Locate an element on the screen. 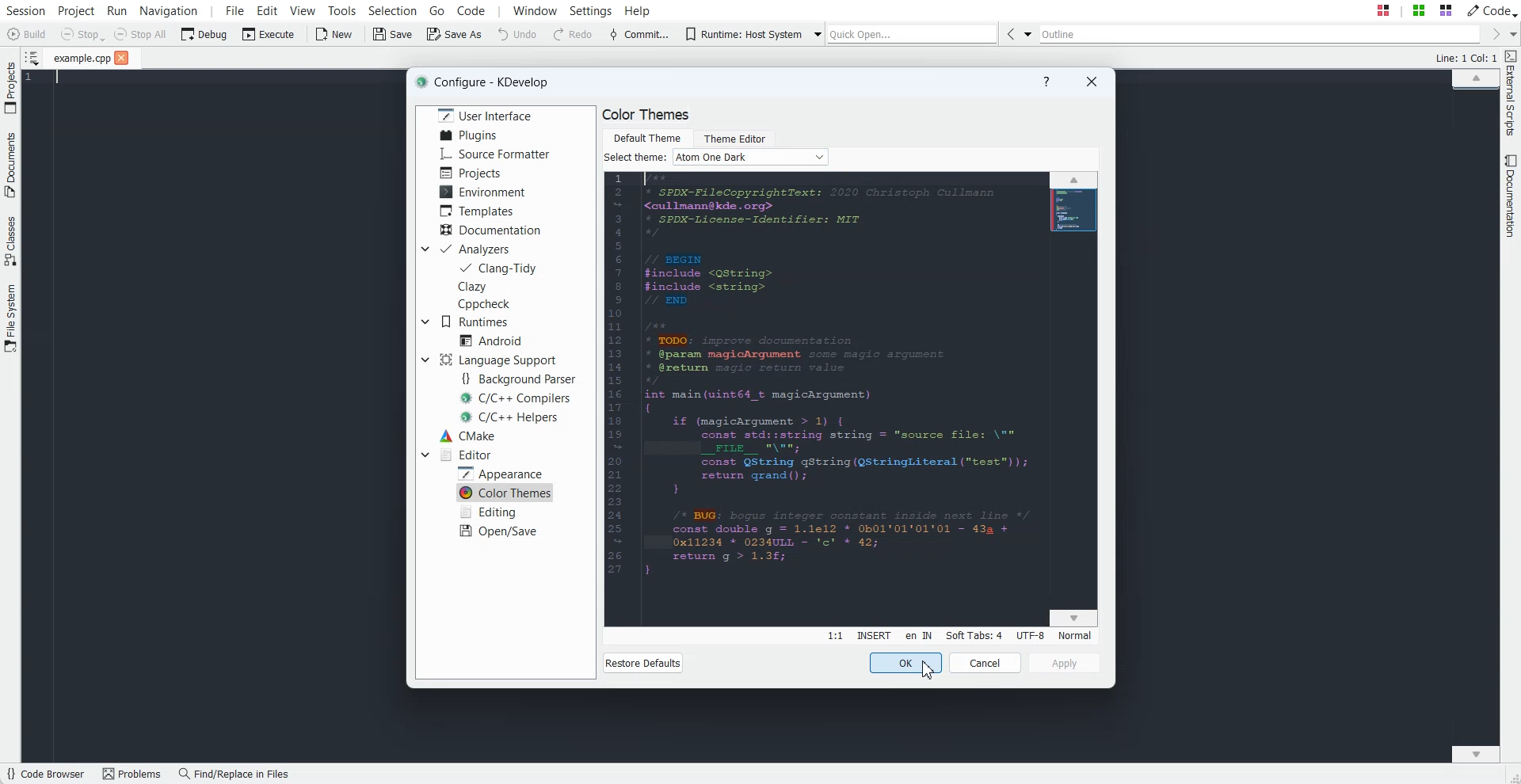  Undo is located at coordinates (517, 35).